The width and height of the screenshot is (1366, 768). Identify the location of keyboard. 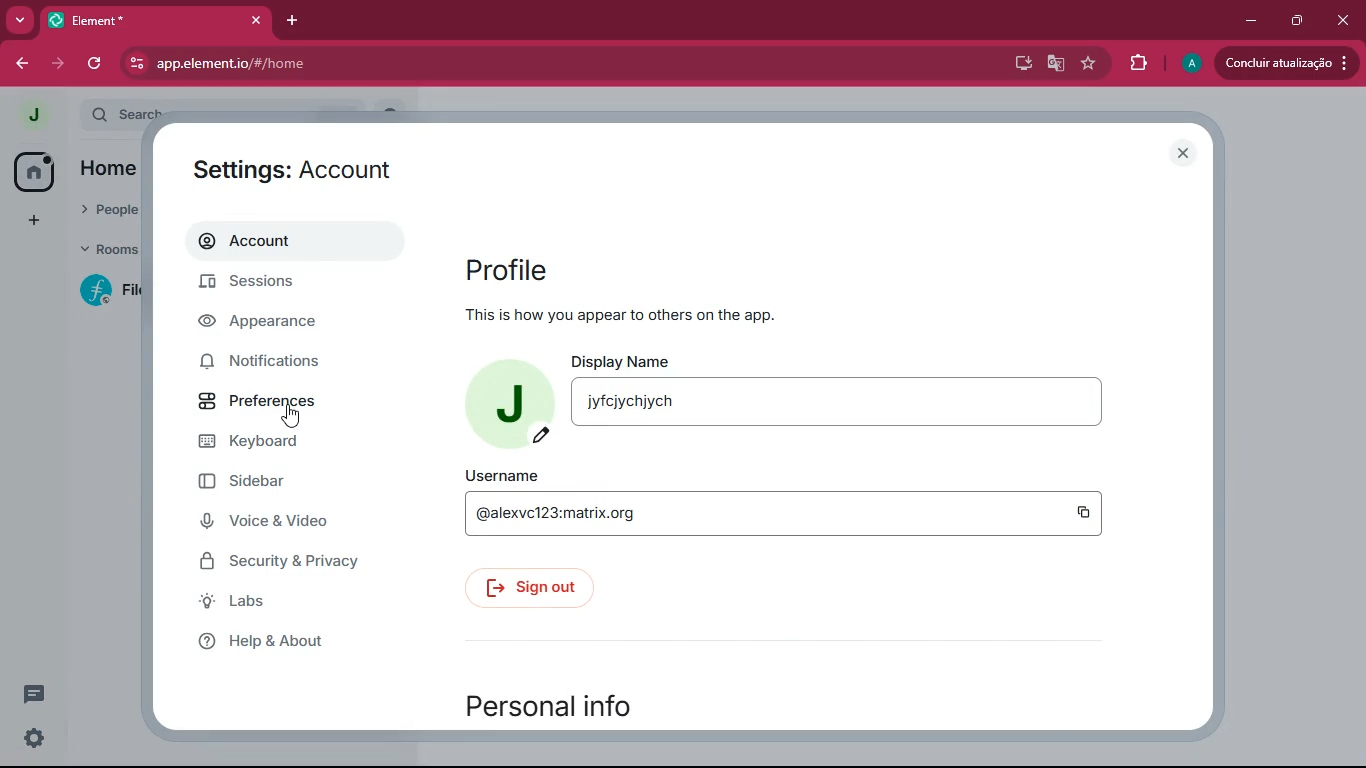
(278, 445).